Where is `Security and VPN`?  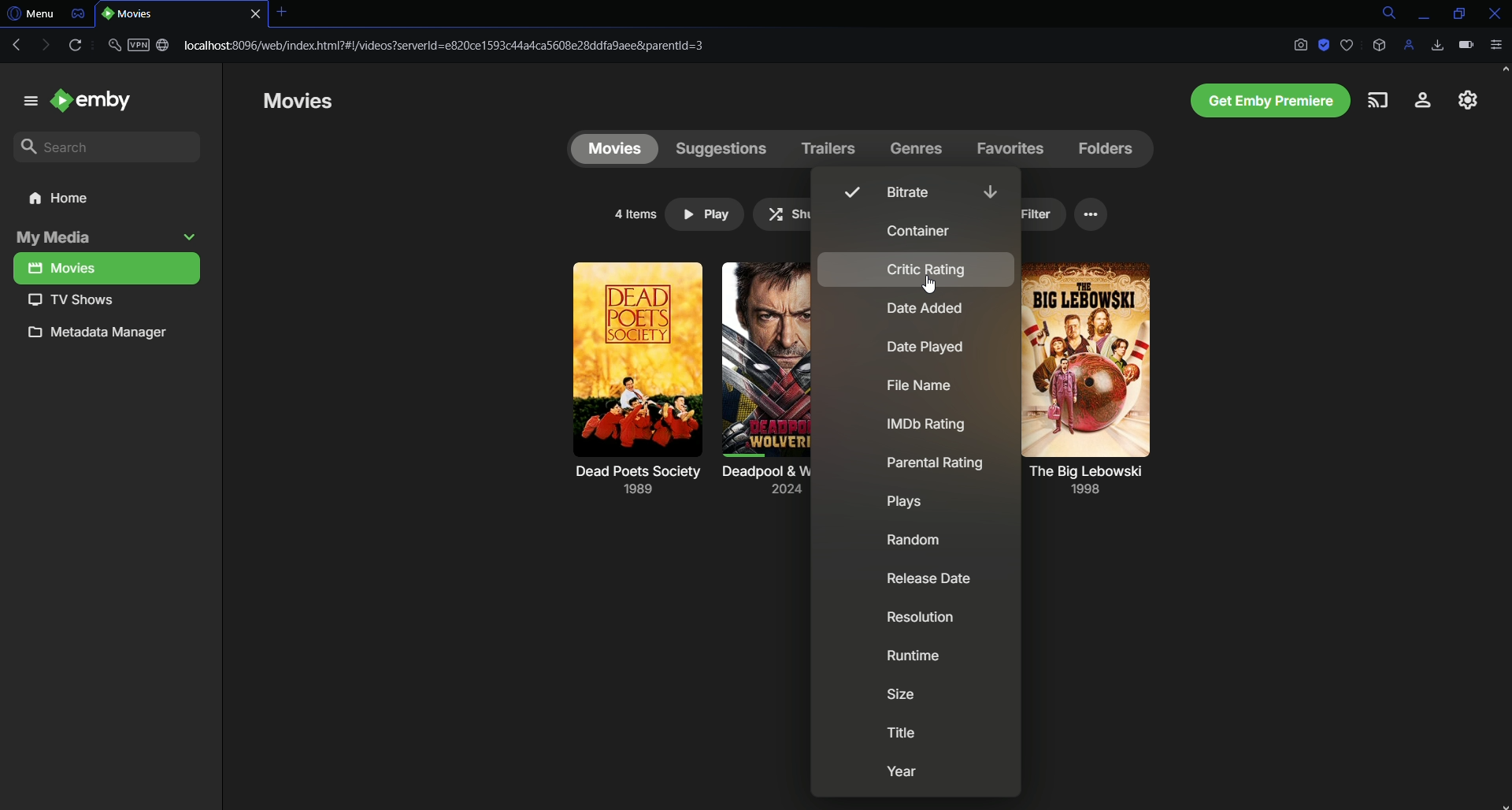 Security and VPN is located at coordinates (139, 49).